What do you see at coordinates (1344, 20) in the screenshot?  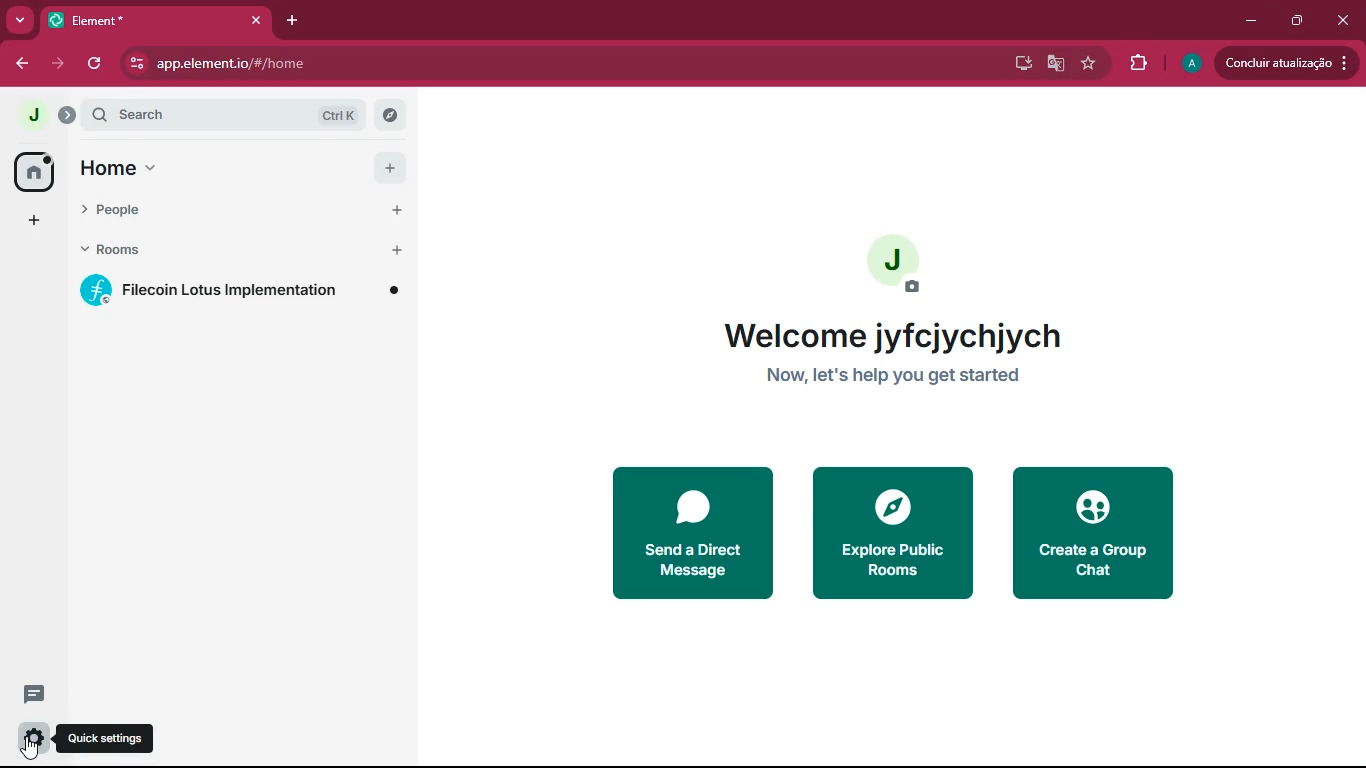 I see `close` at bounding box center [1344, 20].